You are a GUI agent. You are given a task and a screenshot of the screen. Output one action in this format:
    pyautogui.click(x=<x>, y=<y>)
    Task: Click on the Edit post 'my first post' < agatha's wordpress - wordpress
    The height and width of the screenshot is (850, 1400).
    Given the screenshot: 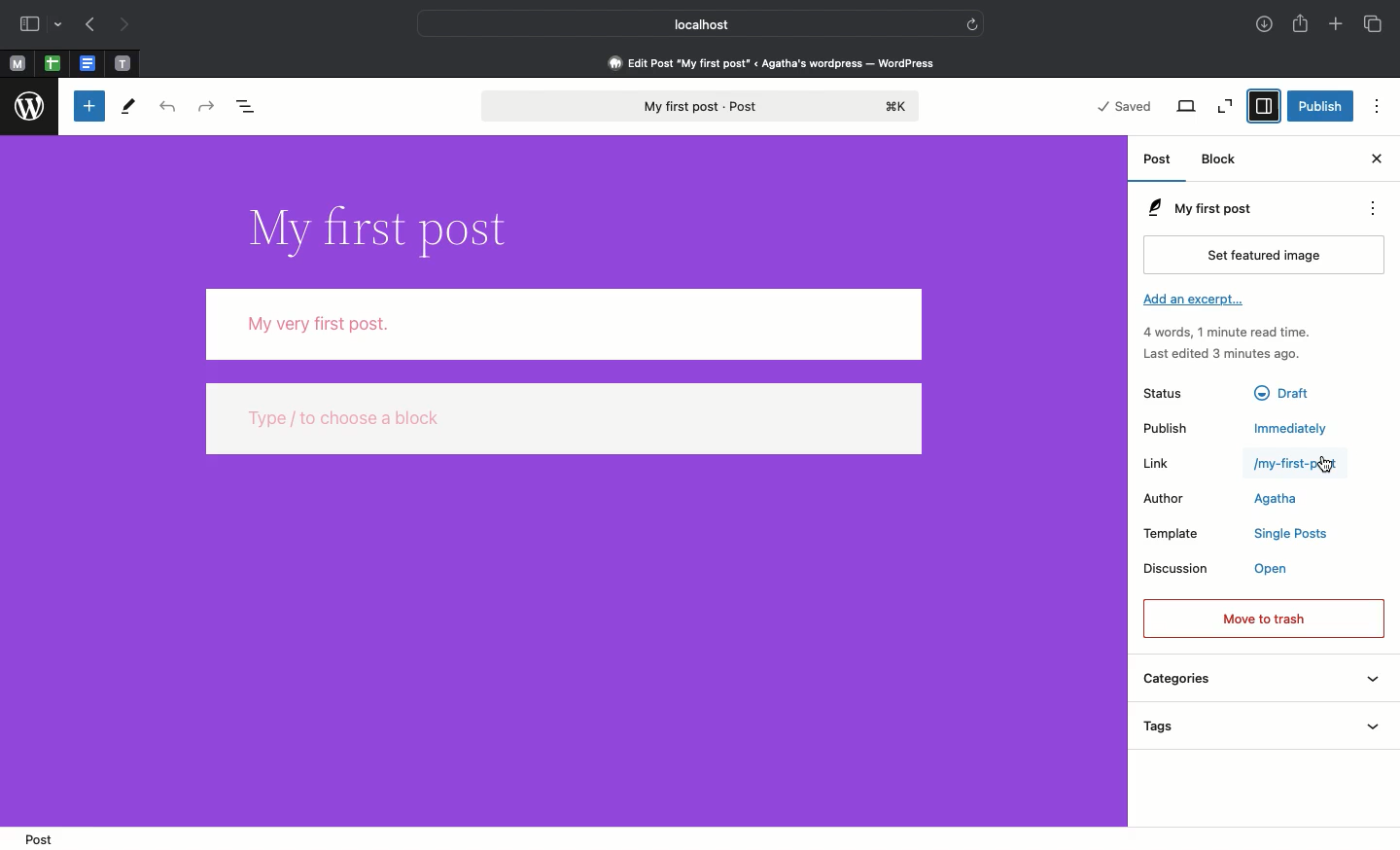 What is the action you would take?
    pyautogui.click(x=772, y=62)
    